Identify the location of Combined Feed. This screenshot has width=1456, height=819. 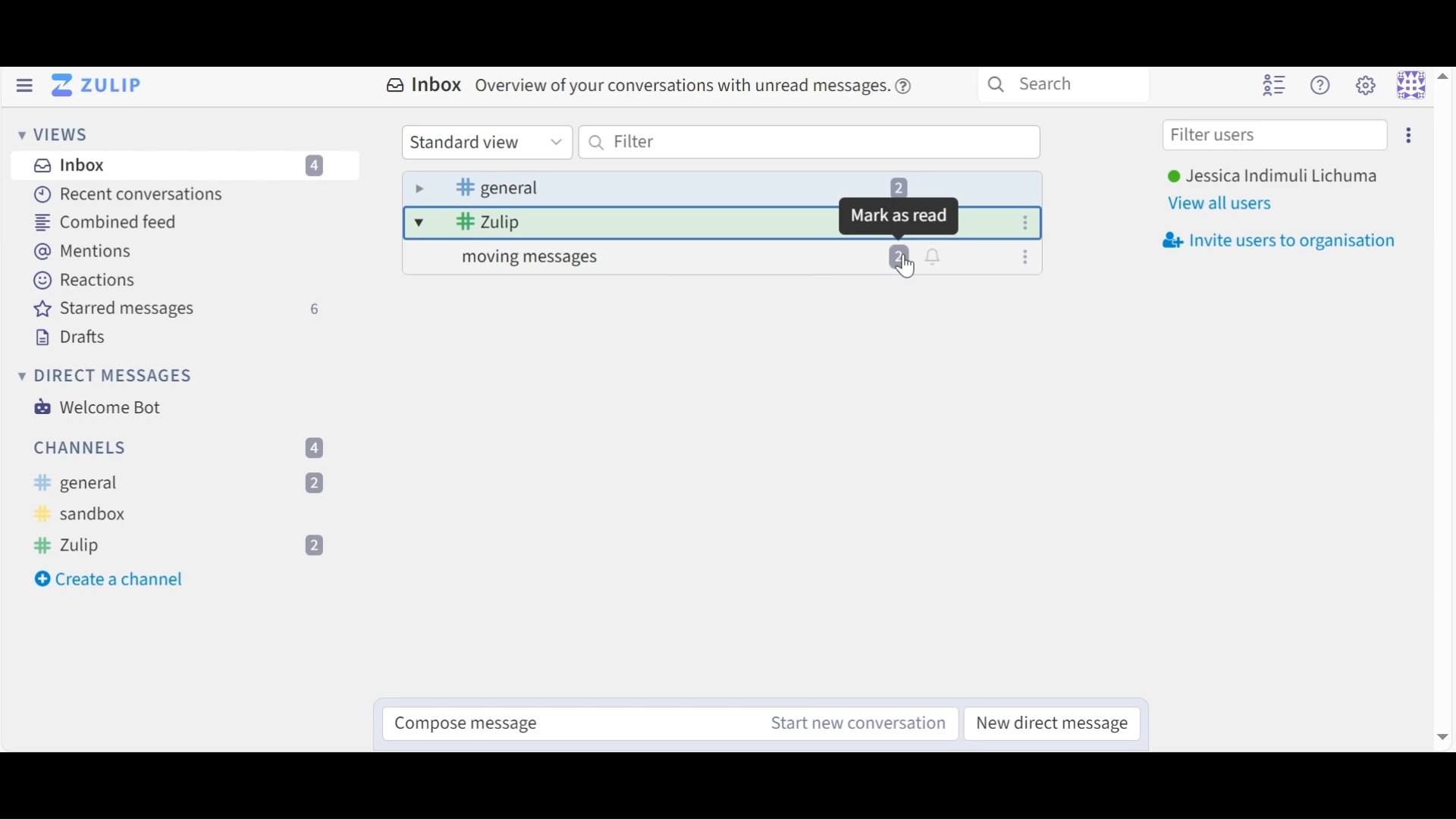
(111, 221).